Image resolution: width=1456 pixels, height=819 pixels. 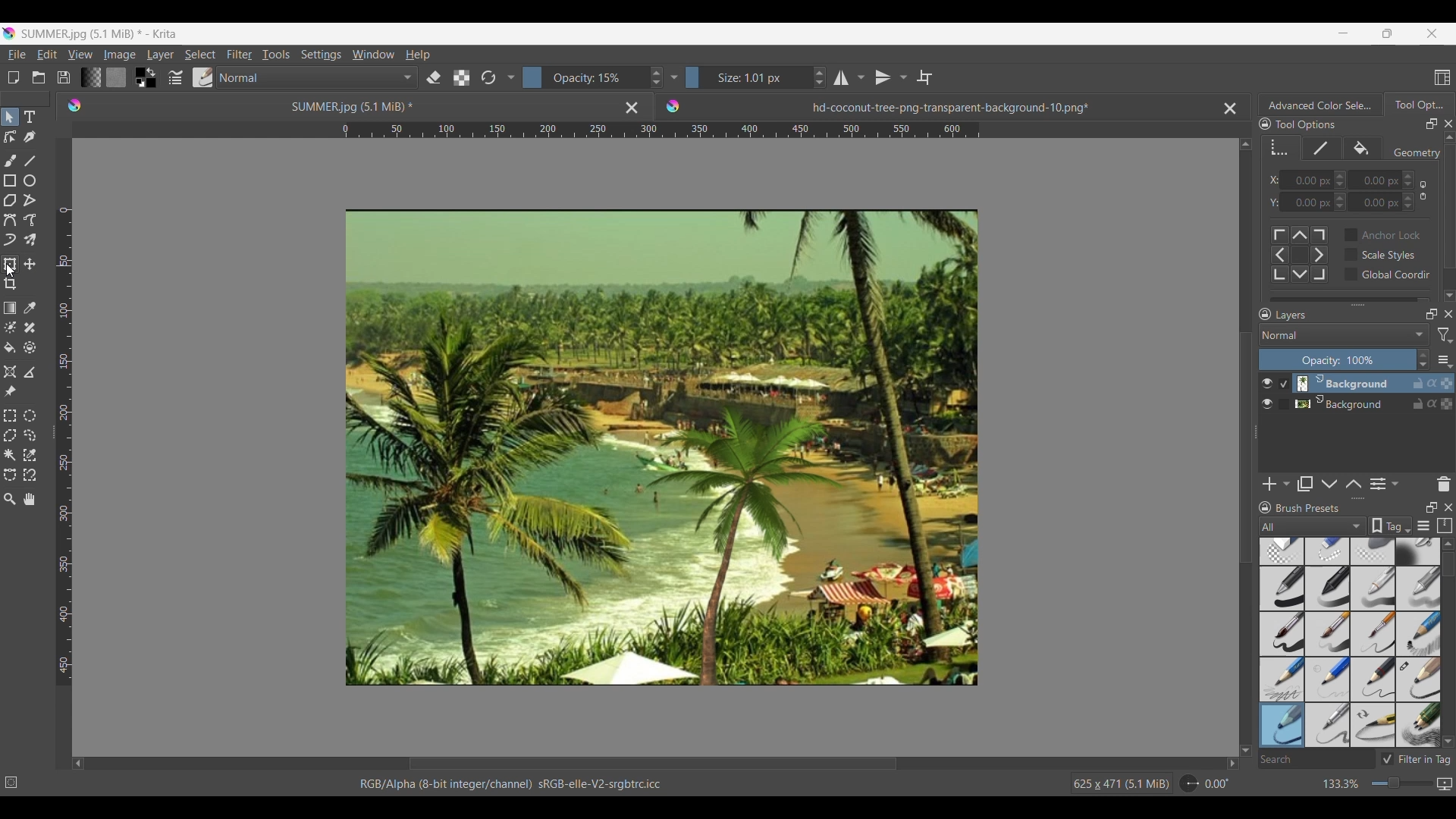 What do you see at coordinates (64, 77) in the screenshot?
I see `Save` at bounding box center [64, 77].